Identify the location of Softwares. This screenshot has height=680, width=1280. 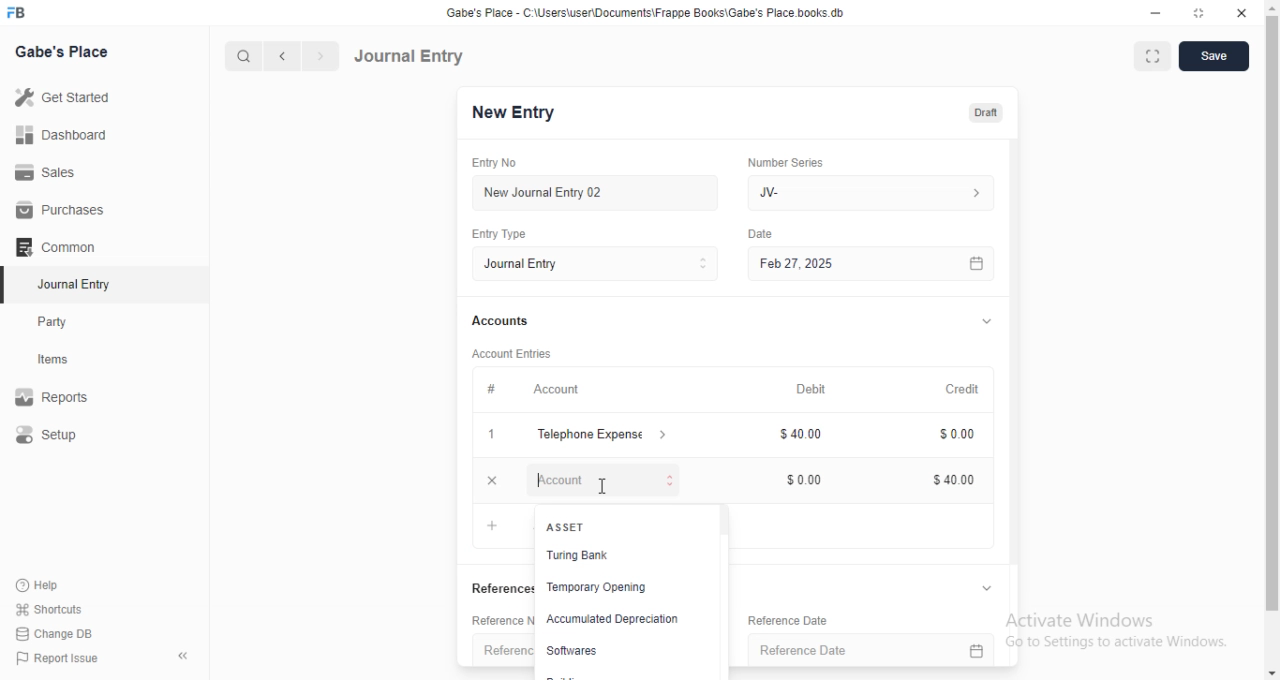
(577, 652).